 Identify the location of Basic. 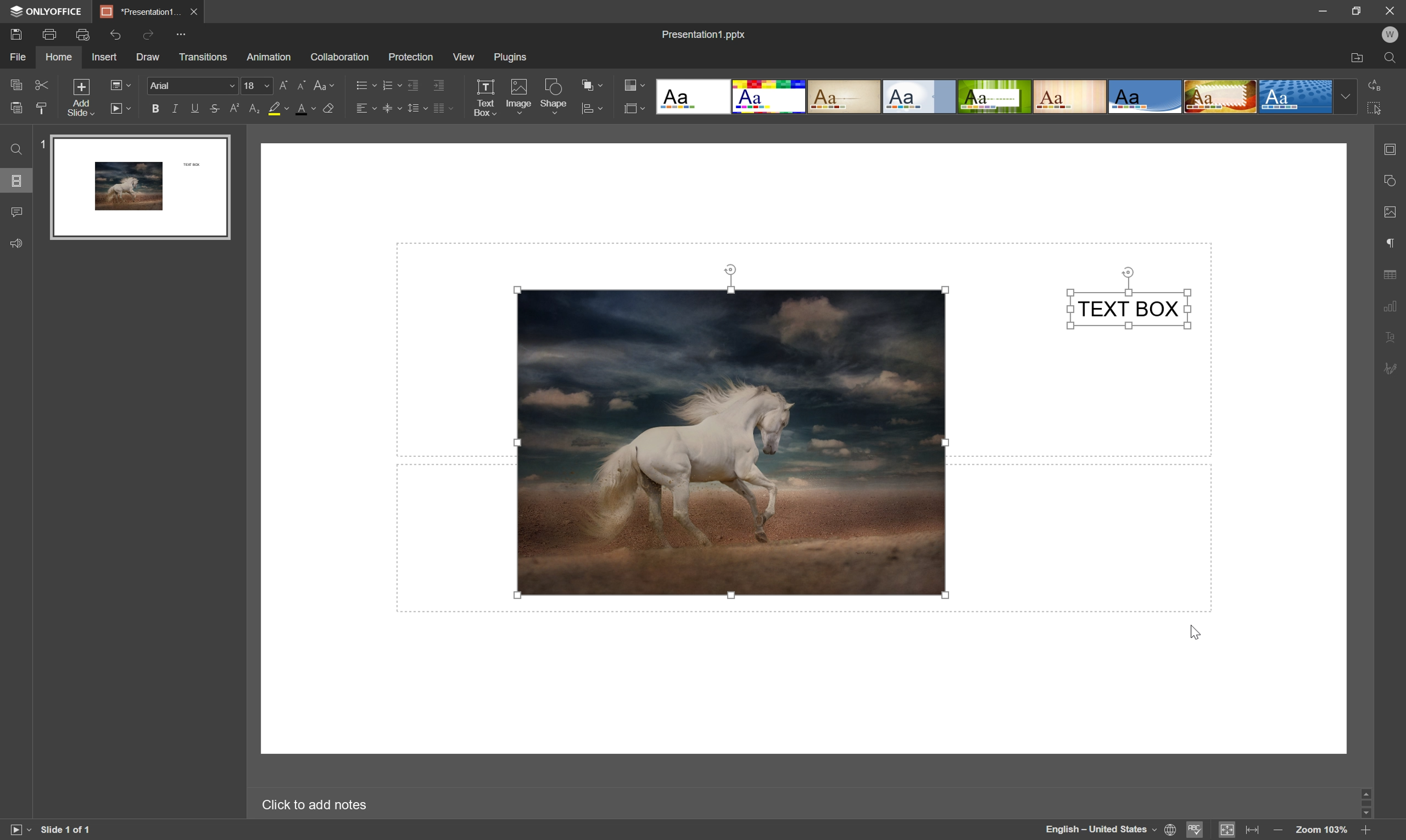
(770, 97).